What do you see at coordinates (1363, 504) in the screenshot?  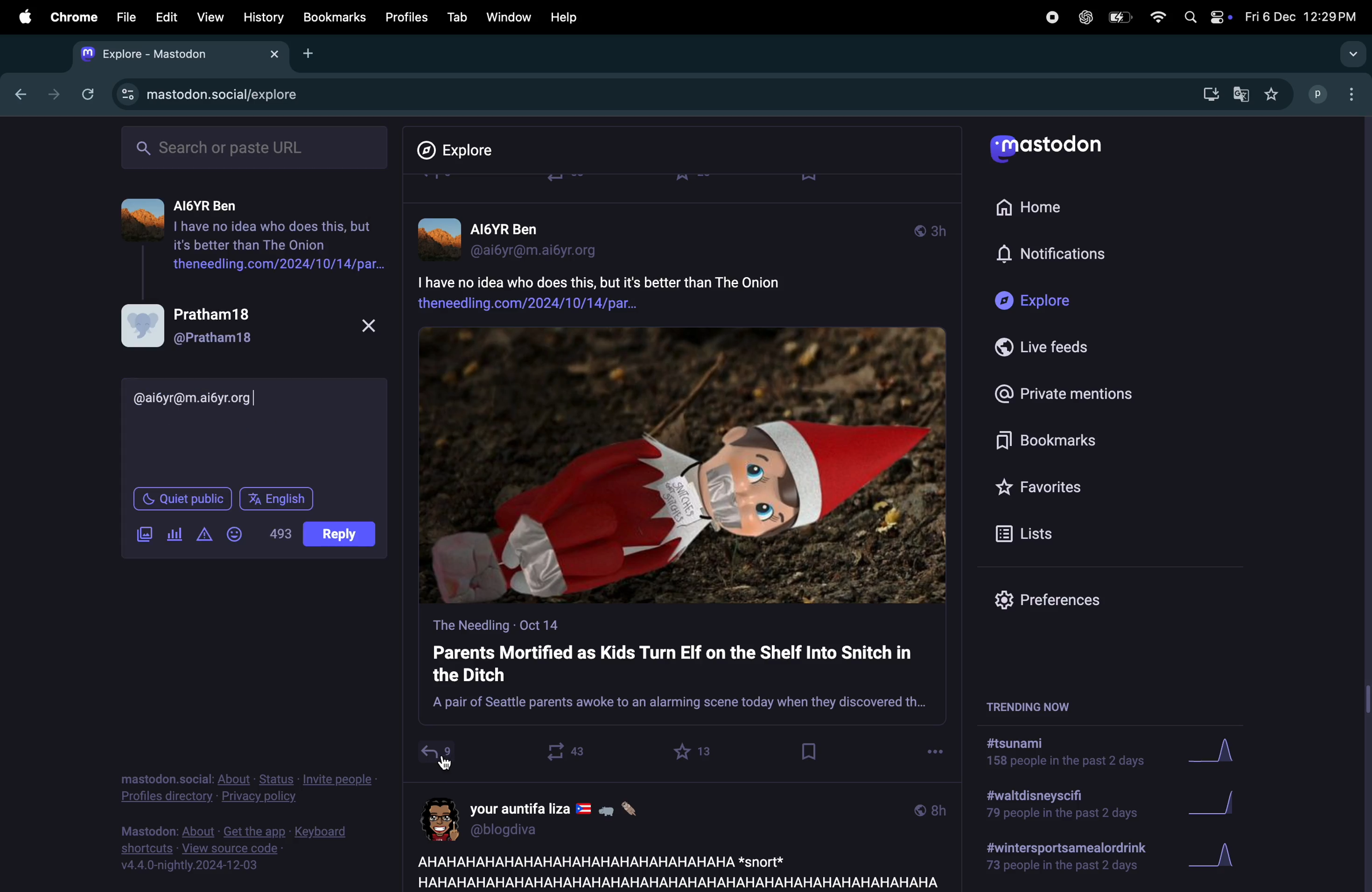 I see `` at bounding box center [1363, 504].